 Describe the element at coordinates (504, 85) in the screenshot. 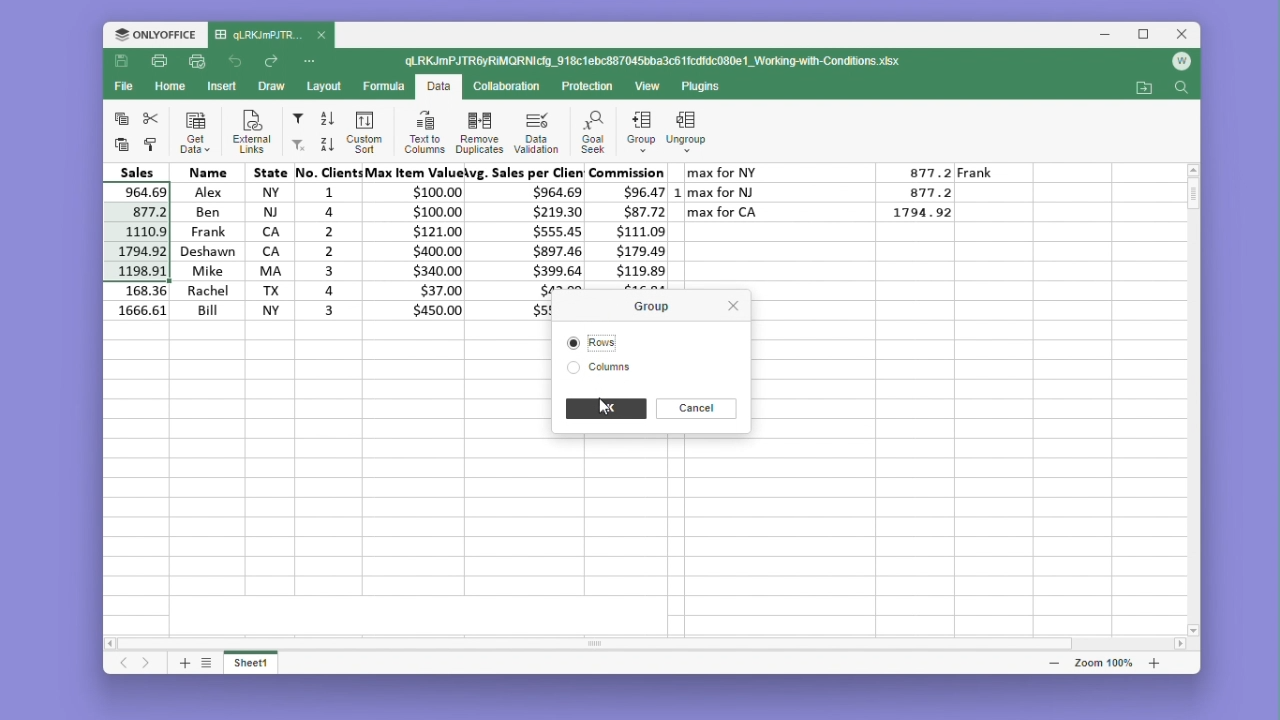

I see `Collaboration` at that location.